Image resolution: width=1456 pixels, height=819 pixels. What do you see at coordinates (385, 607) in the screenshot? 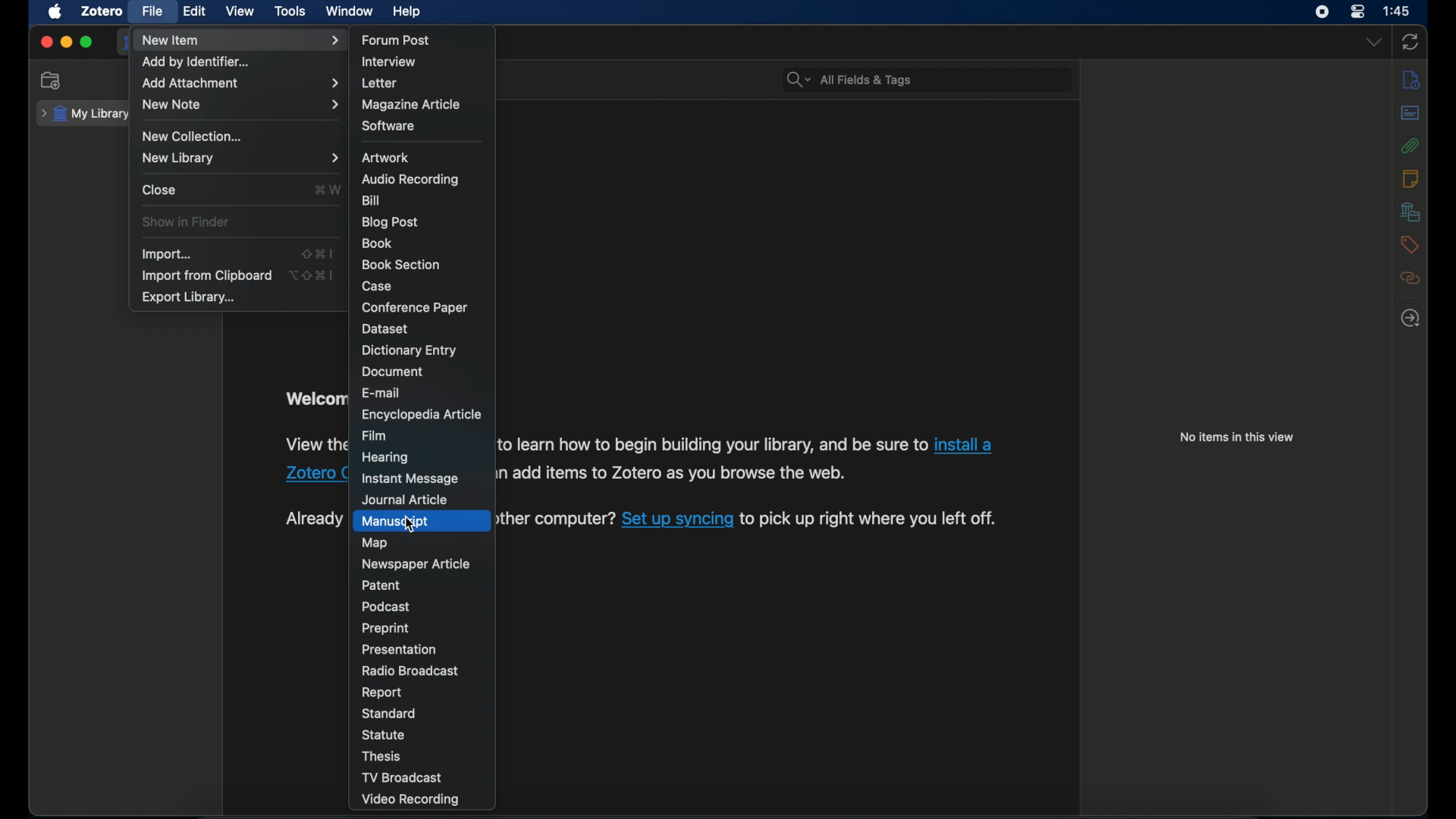
I see `podcast` at bounding box center [385, 607].